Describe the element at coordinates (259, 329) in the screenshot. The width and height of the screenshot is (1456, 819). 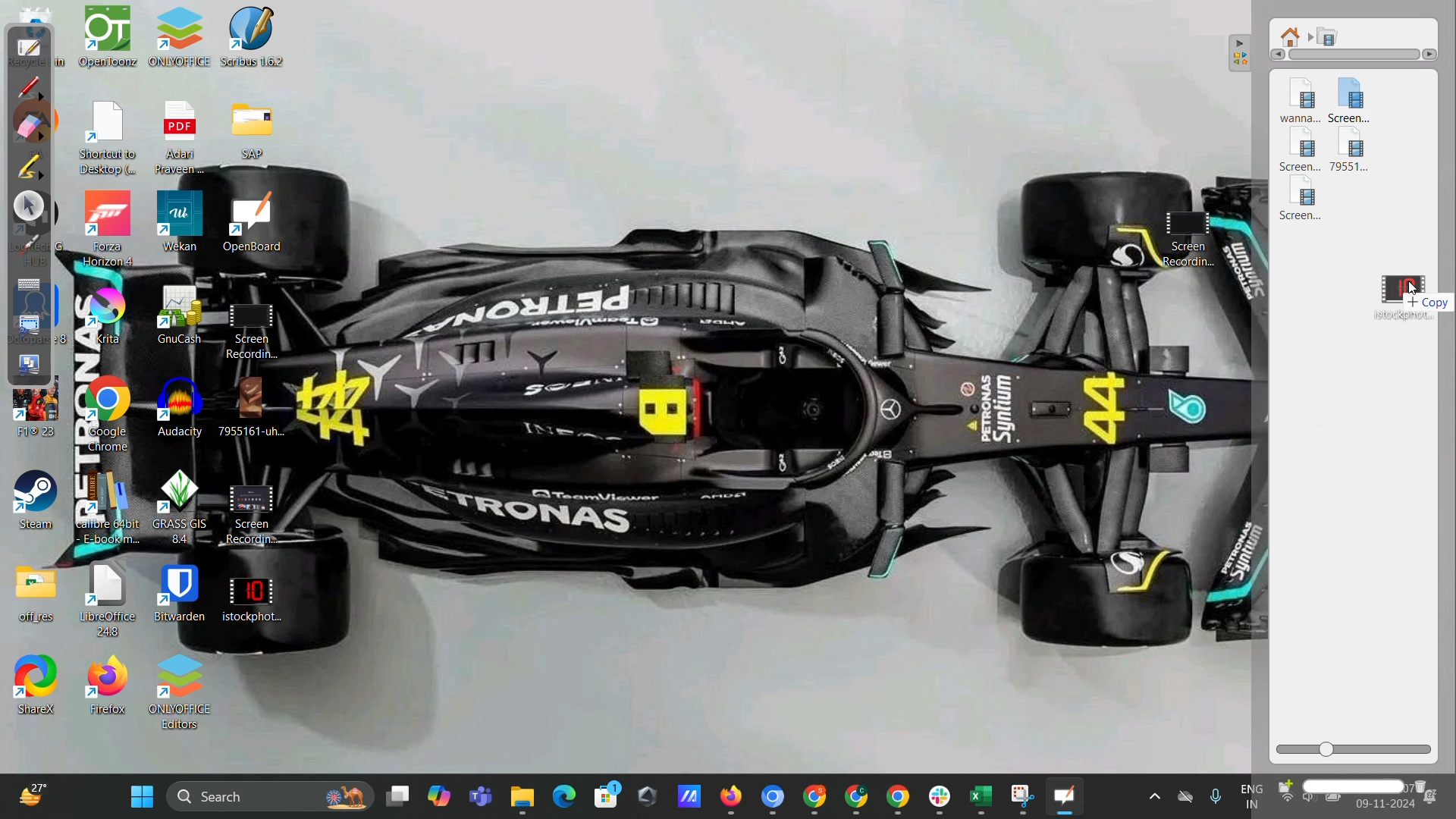
I see `Screen Recording` at that location.